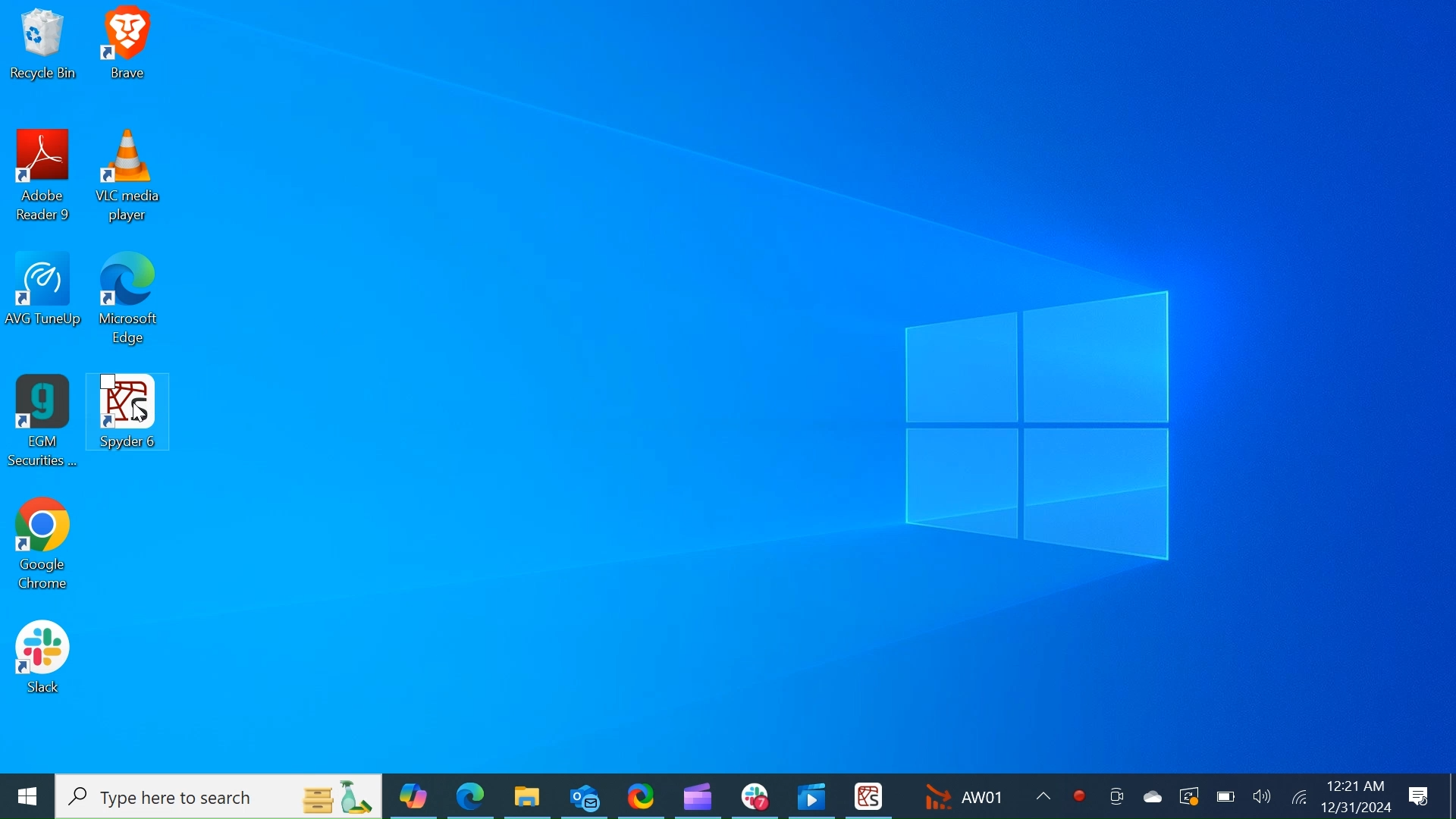 This screenshot has height=819, width=1456. What do you see at coordinates (1190, 796) in the screenshot?
I see `Restart Updates` at bounding box center [1190, 796].